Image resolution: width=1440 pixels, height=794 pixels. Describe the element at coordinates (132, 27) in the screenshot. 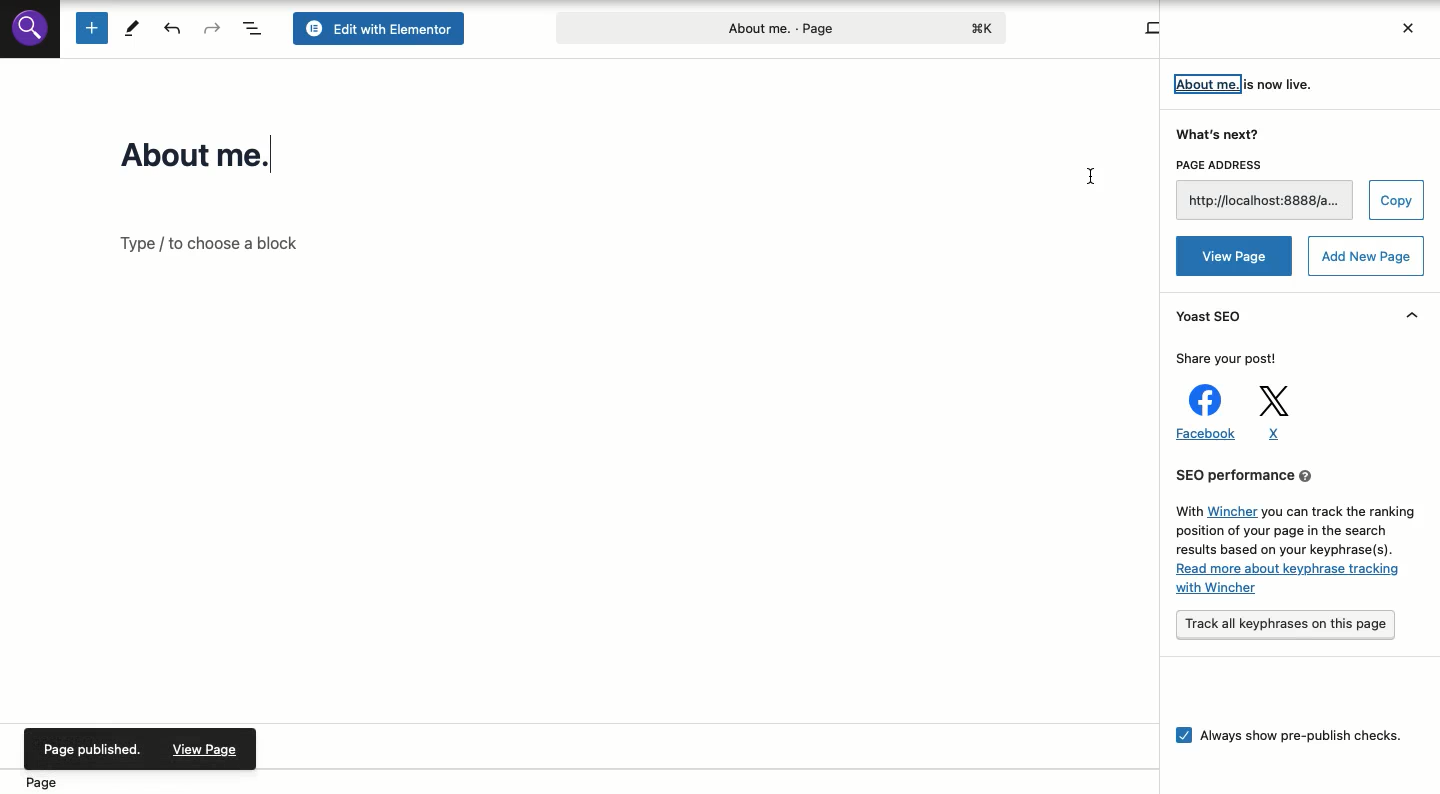

I see `Tools` at that location.